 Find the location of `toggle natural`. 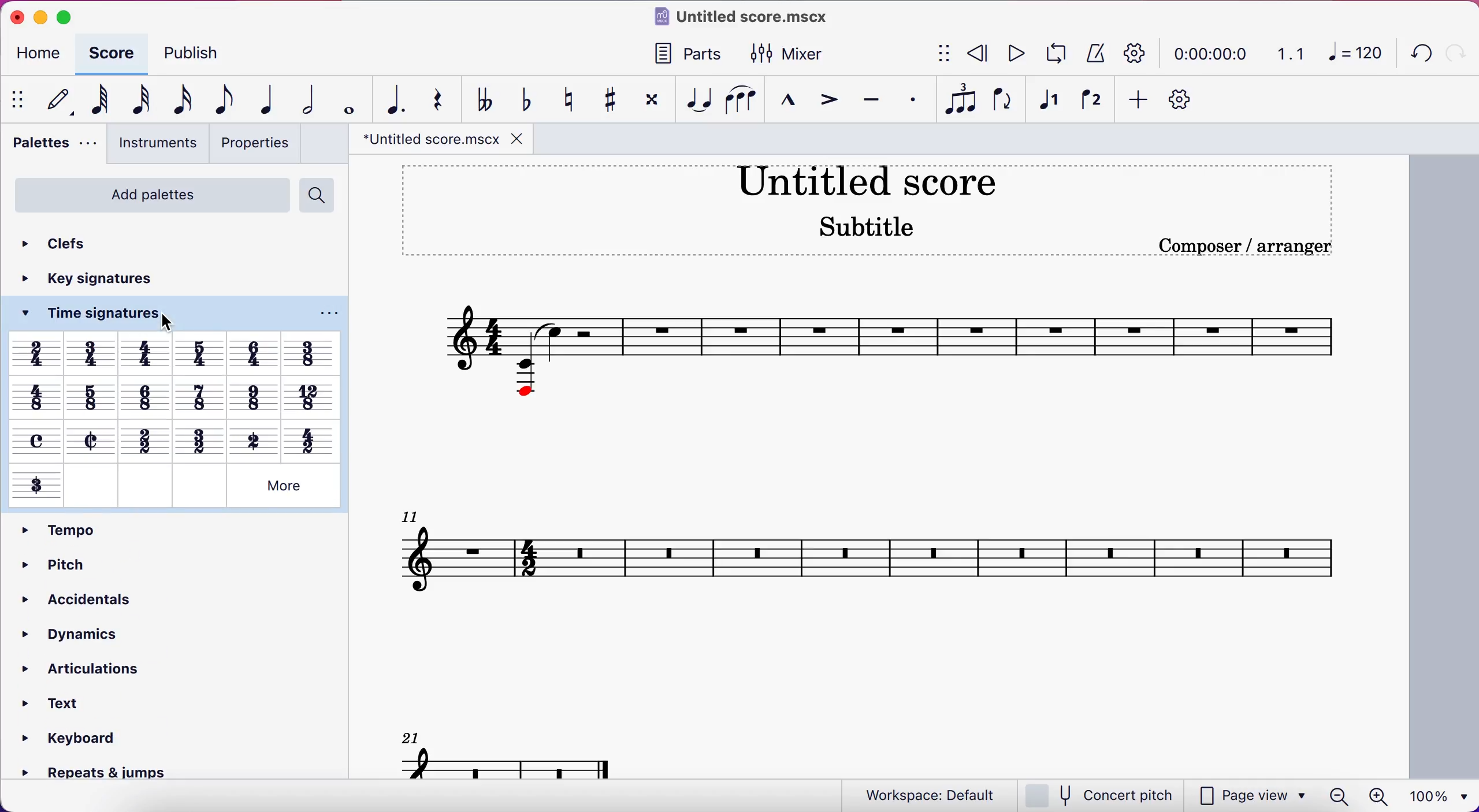

toggle natural is located at coordinates (564, 98).